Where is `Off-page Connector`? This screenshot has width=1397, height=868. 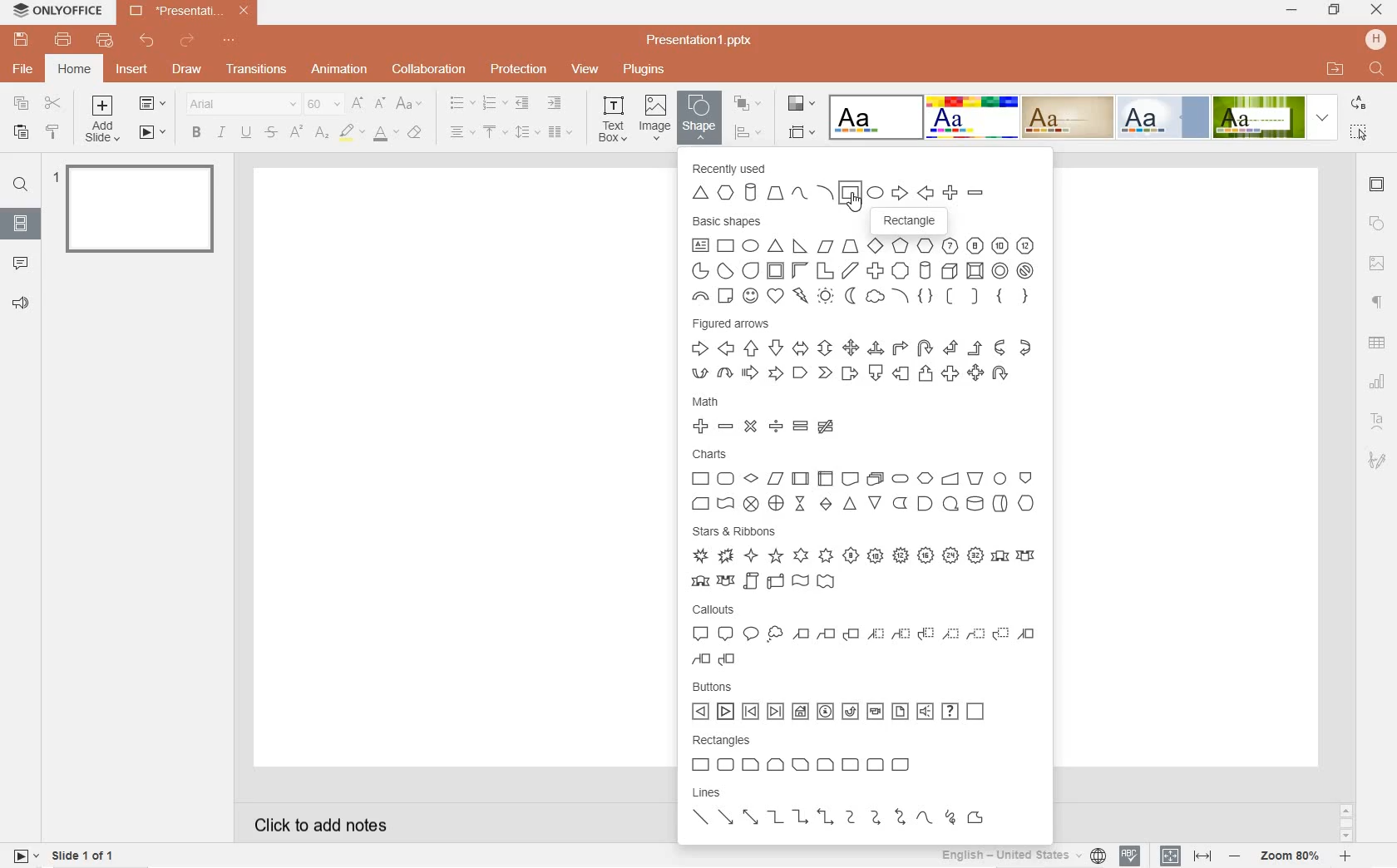 Off-page Connector is located at coordinates (1025, 481).